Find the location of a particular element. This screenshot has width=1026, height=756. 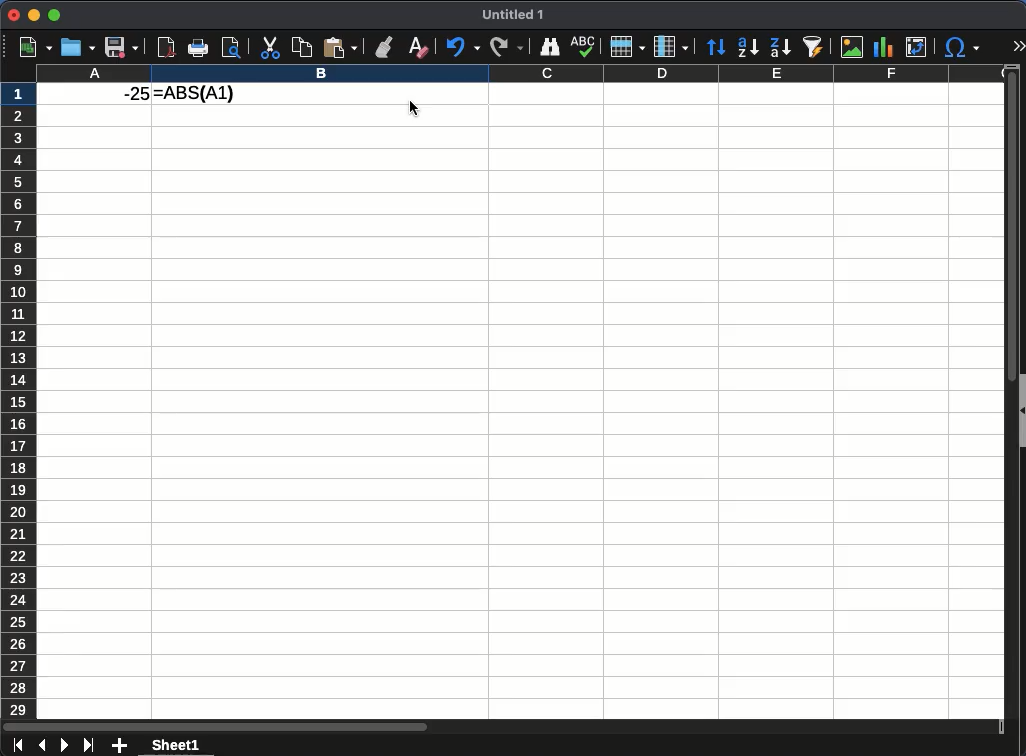

clear formatting is located at coordinates (415, 45).